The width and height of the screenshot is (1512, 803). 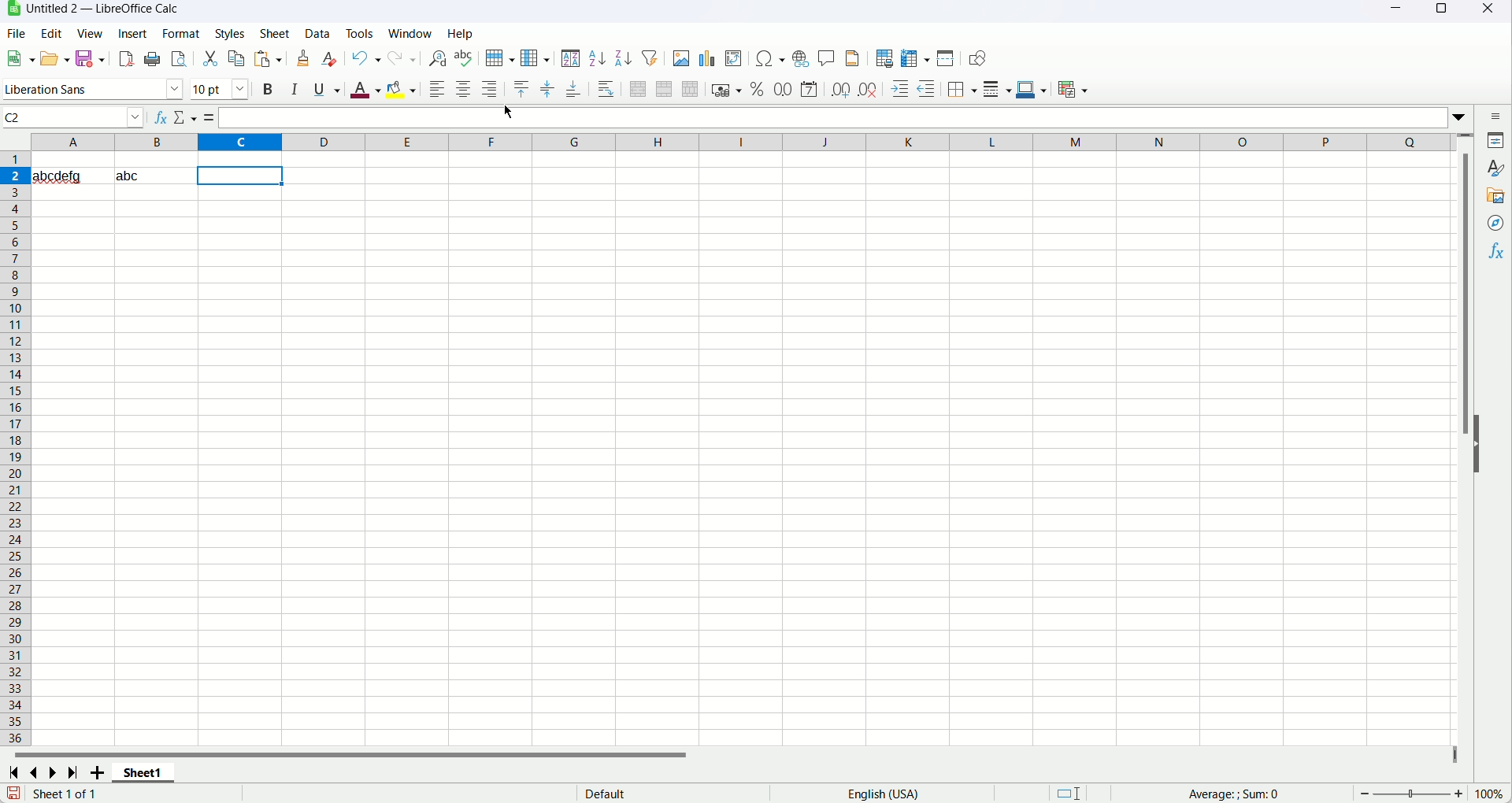 What do you see at coordinates (769, 60) in the screenshot?
I see `insert special character` at bounding box center [769, 60].